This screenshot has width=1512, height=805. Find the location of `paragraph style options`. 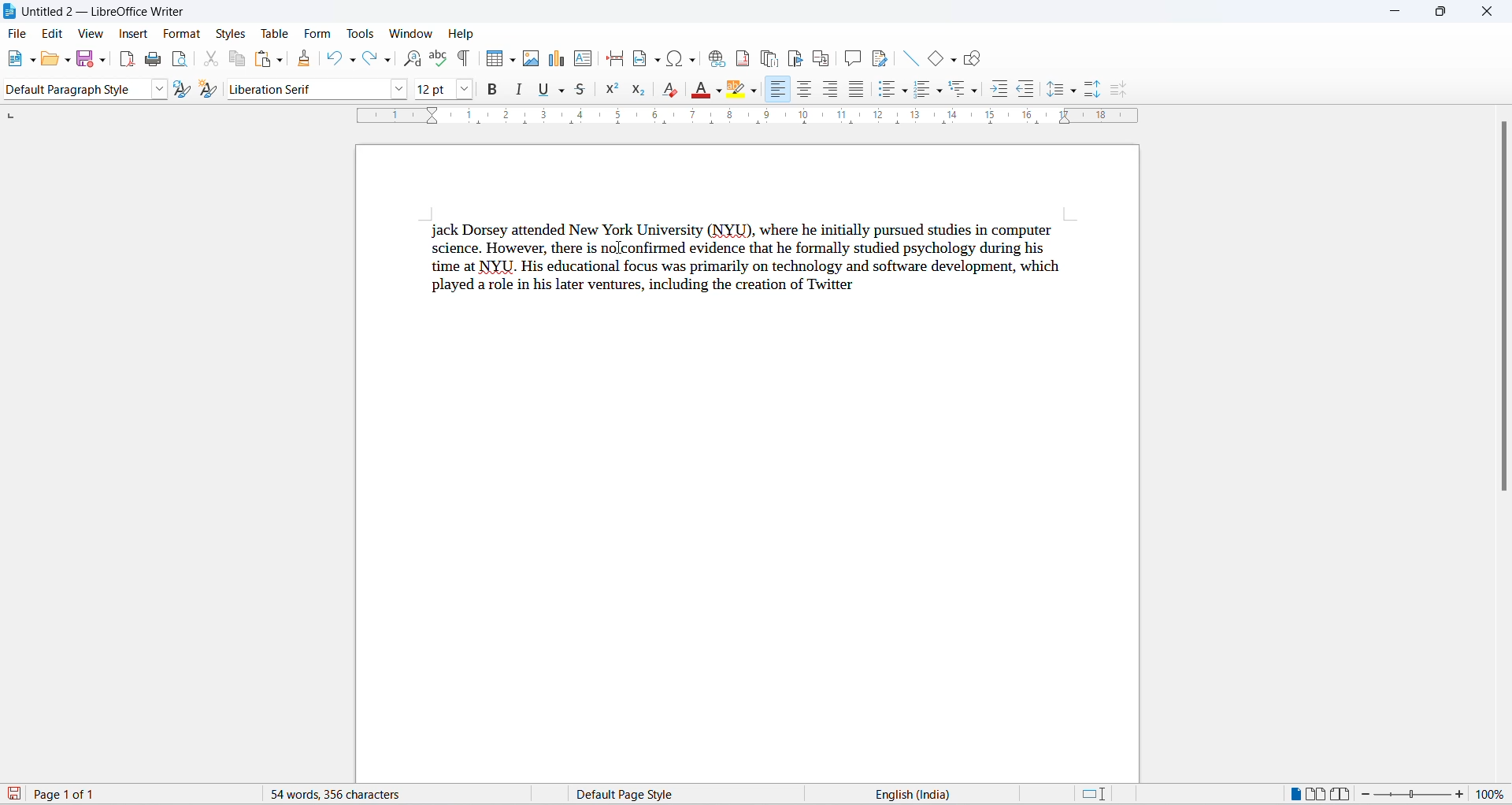

paragraph style options is located at coordinates (161, 89).